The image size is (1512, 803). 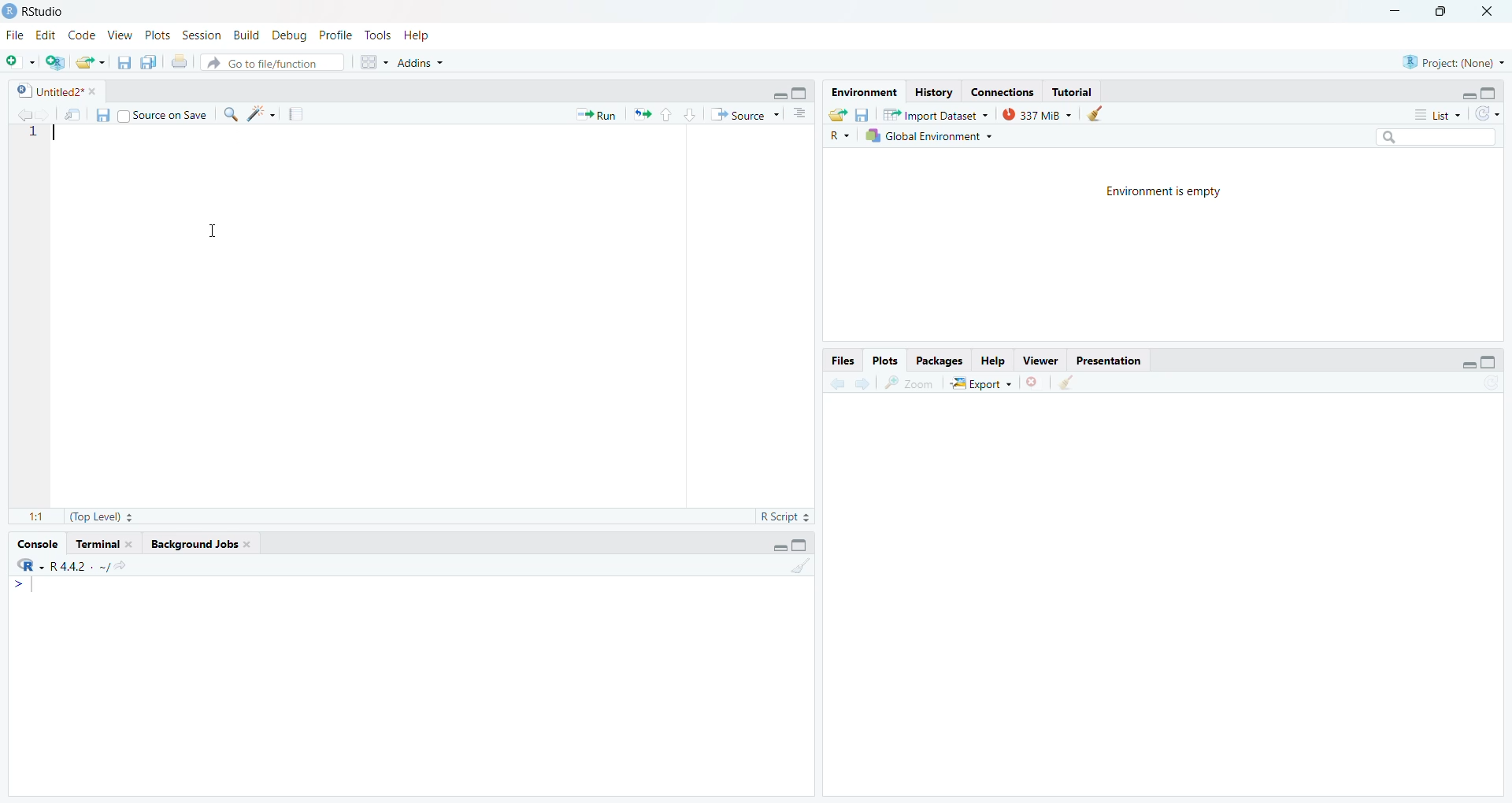 What do you see at coordinates (1452, 61) in the screenshot?
I see `Project: (None) ` at bounding box center [1452, 61].